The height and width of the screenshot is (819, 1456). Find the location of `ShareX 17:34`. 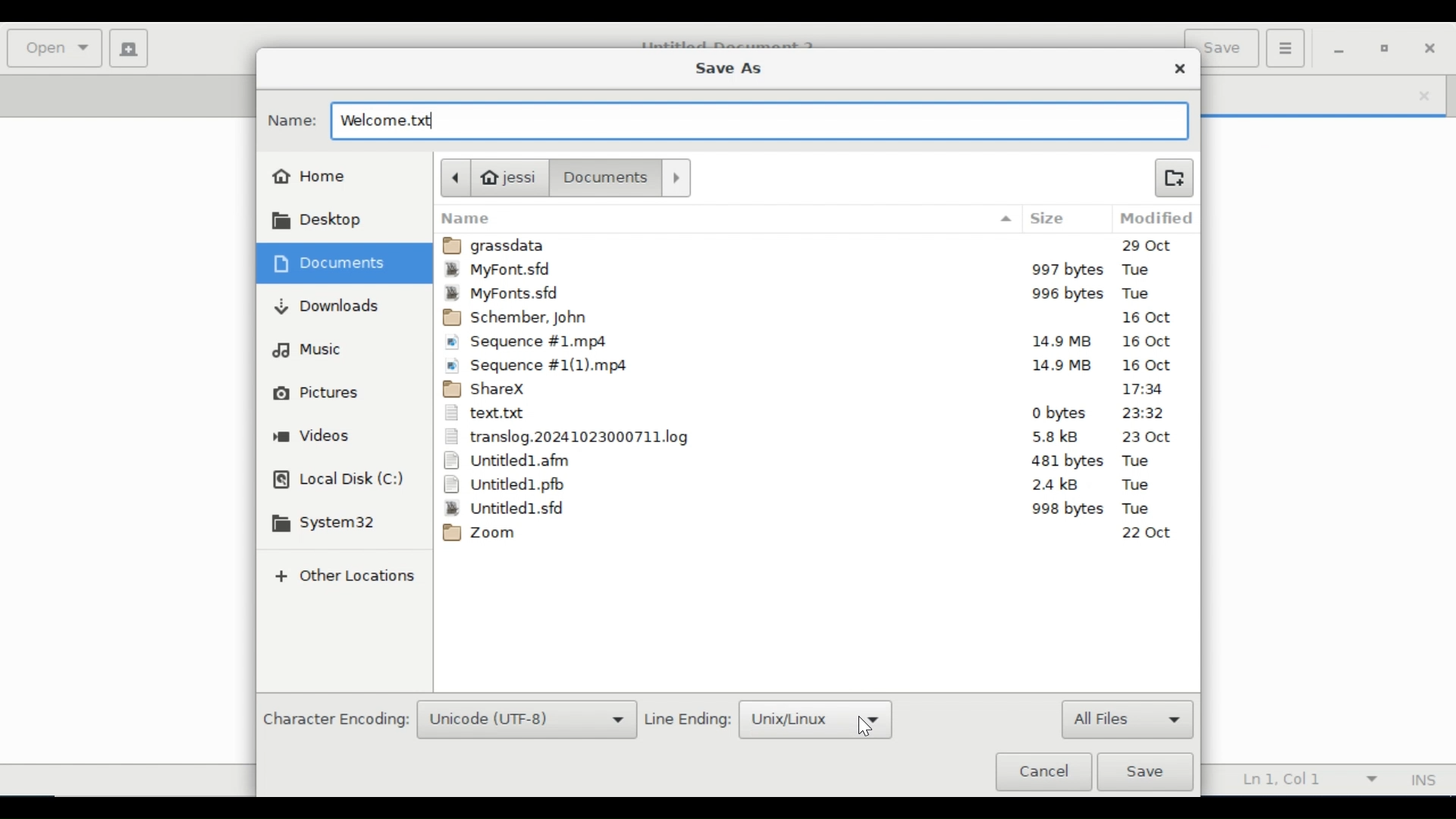

ShareX 17:34 is located at coordinates (813, 390).